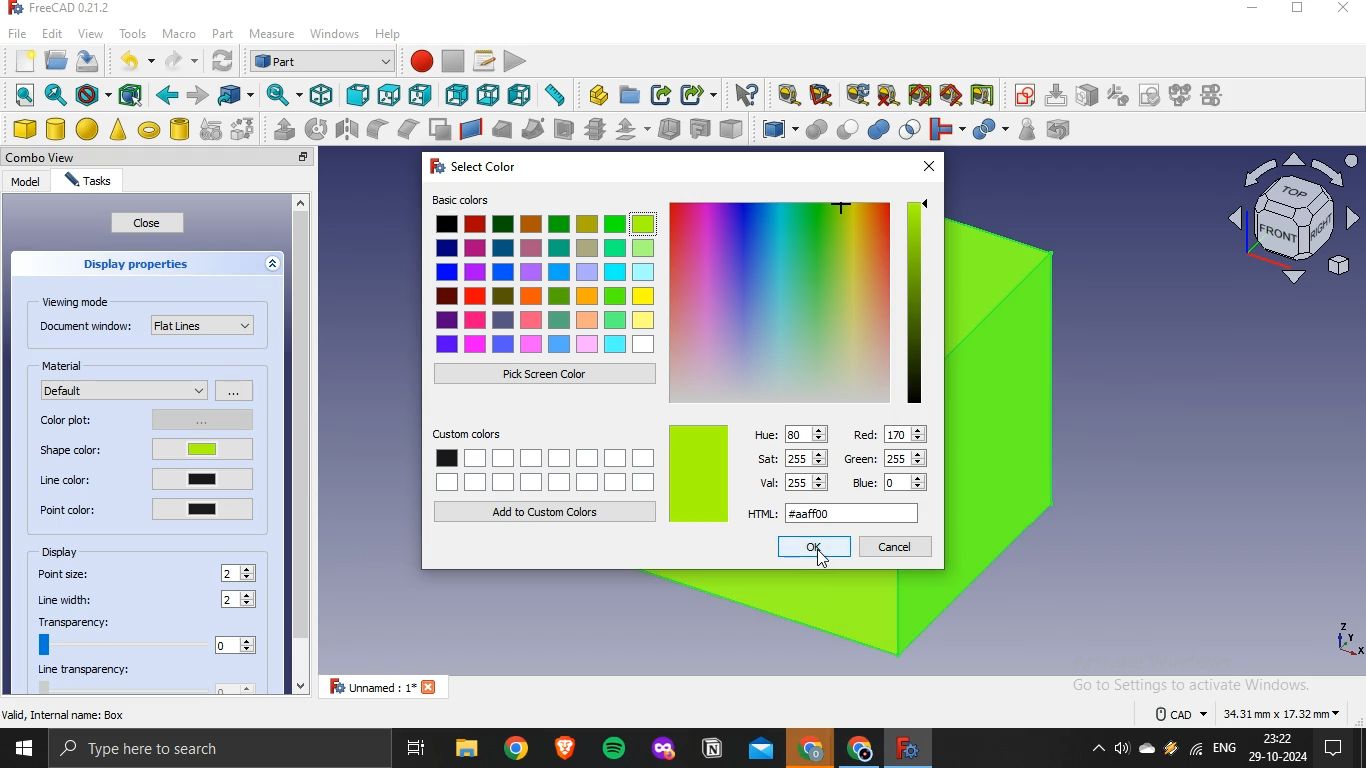 The image size is (1366, 768). Describe the element at coordinates (389, 33) in the screenshot. I see `help` at that location.